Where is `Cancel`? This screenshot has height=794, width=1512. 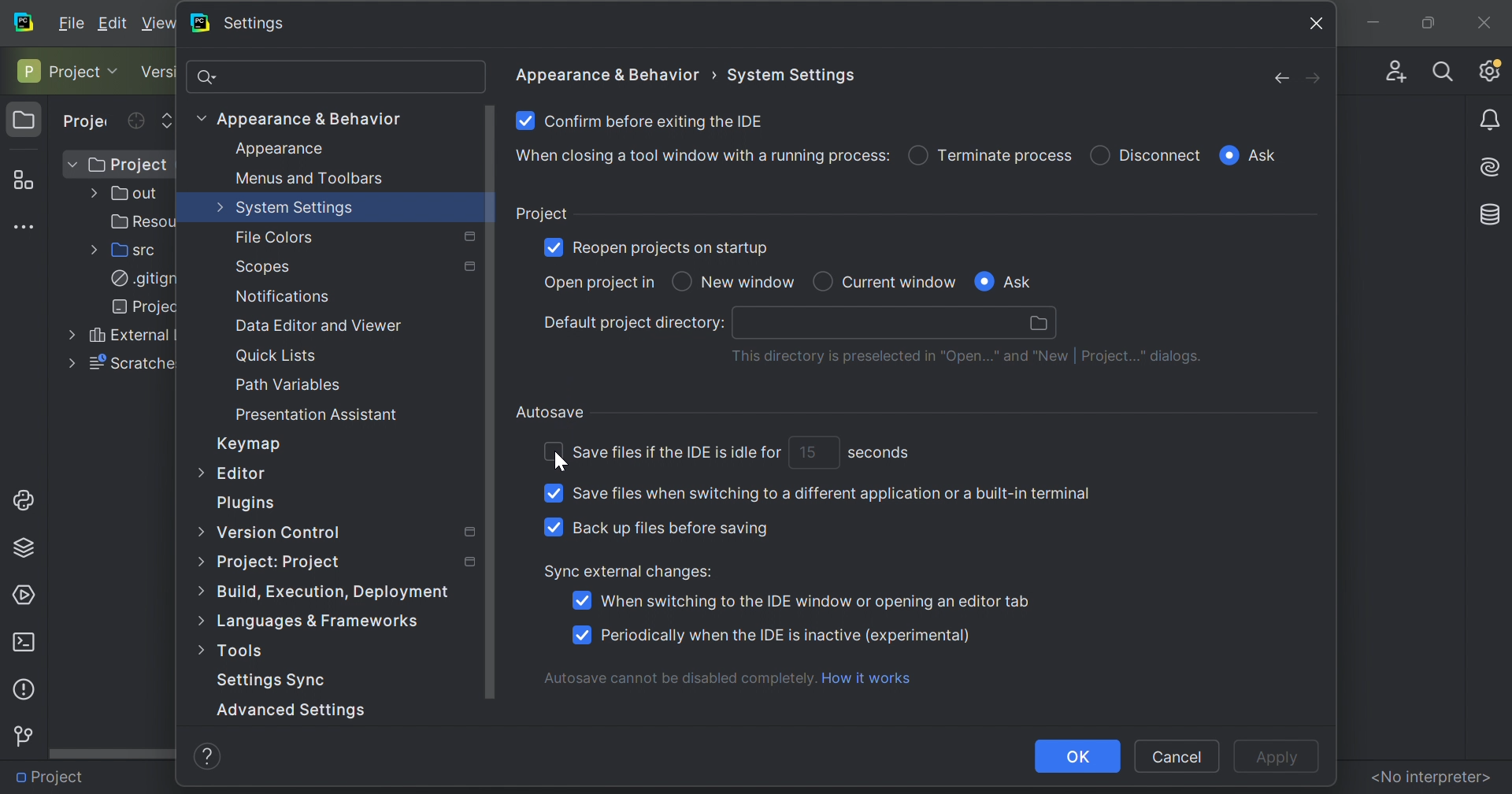 Cancel is located at coordinates (1177, 757).